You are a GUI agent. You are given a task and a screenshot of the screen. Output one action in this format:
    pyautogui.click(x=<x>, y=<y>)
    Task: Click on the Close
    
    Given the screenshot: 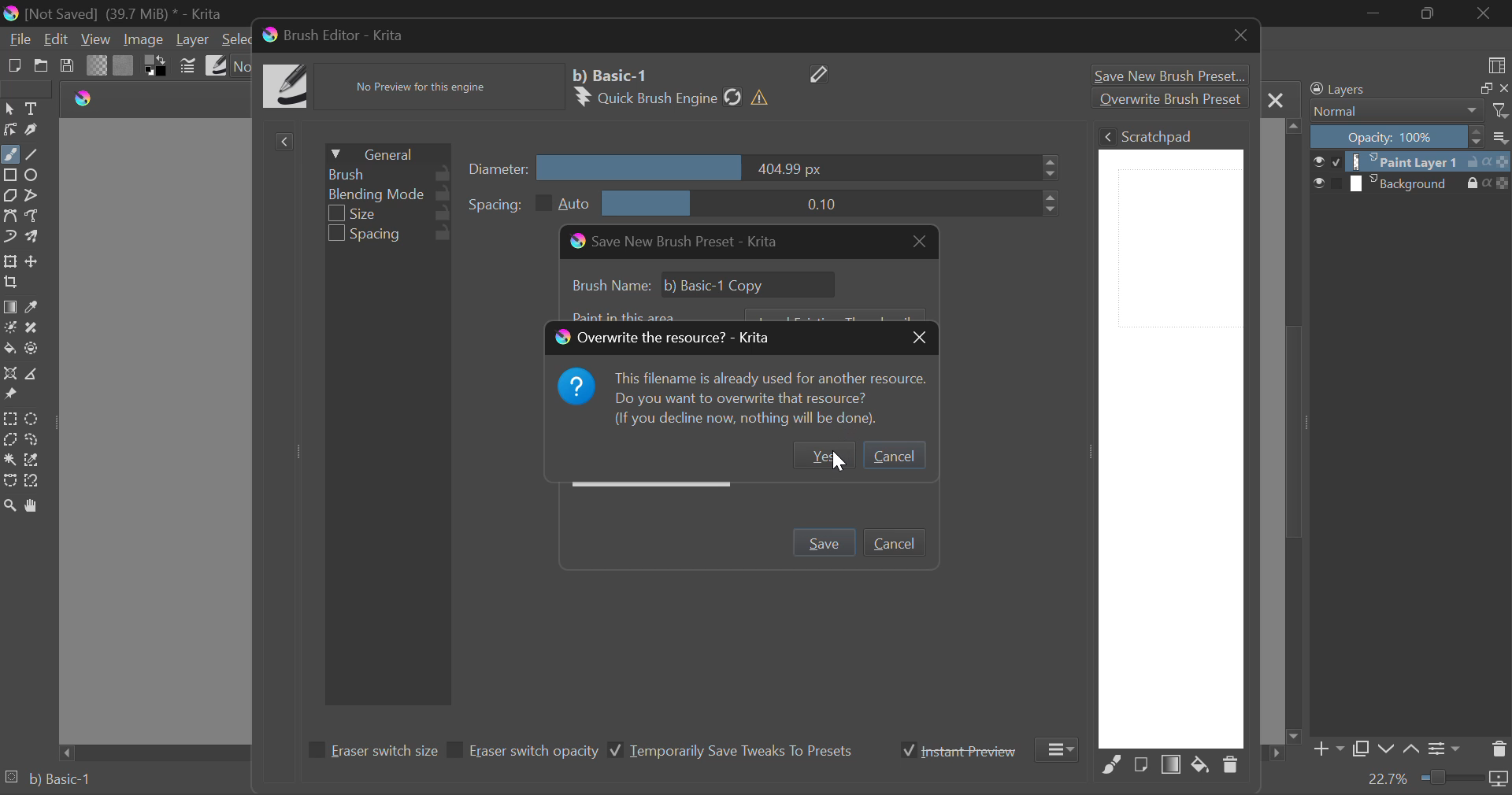 What is the action you would take?
    pyautogui.click(x=1484, y=13)
    